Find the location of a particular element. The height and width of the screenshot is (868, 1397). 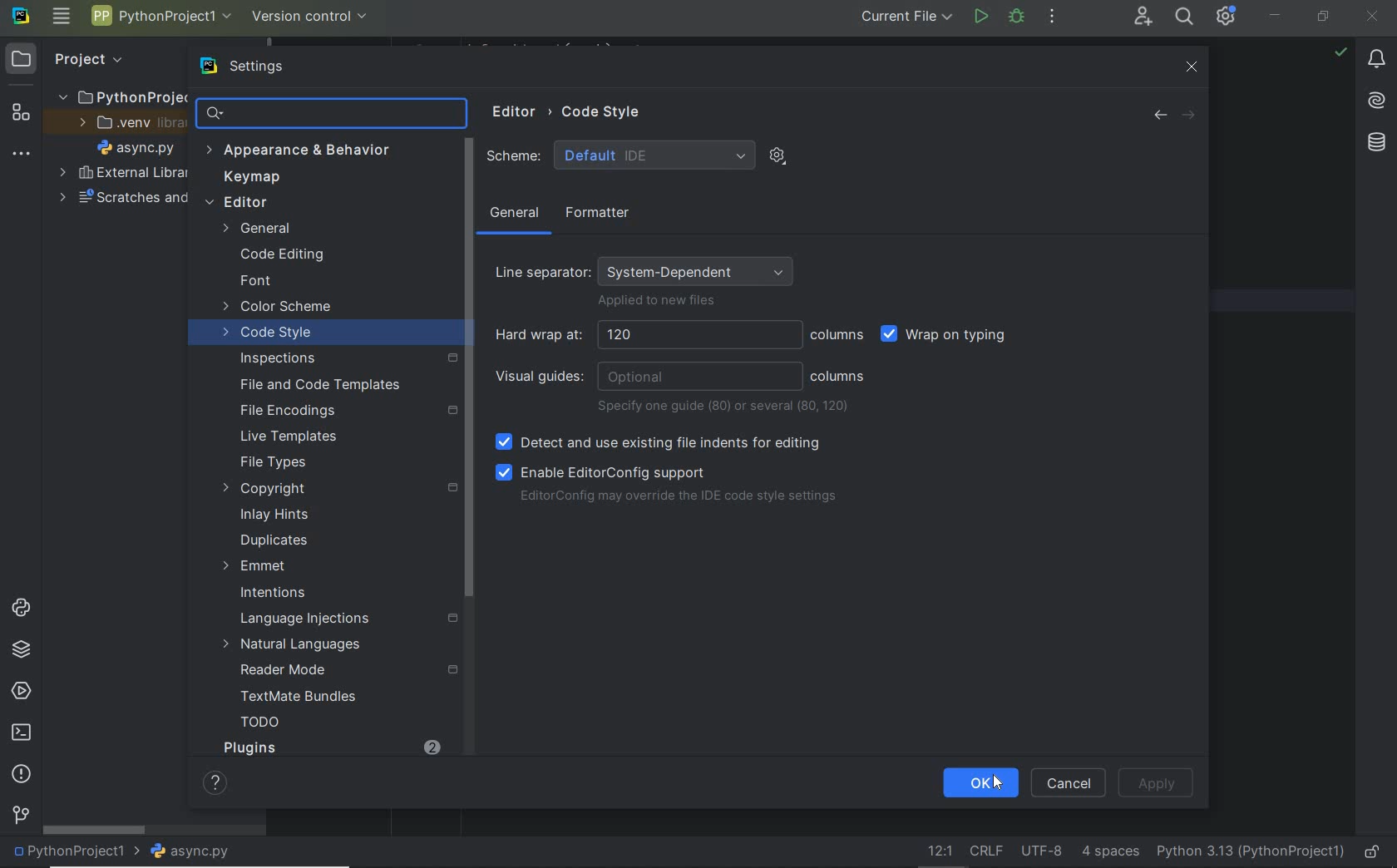

TextMate Bundles is located at coordinates (293, 698).